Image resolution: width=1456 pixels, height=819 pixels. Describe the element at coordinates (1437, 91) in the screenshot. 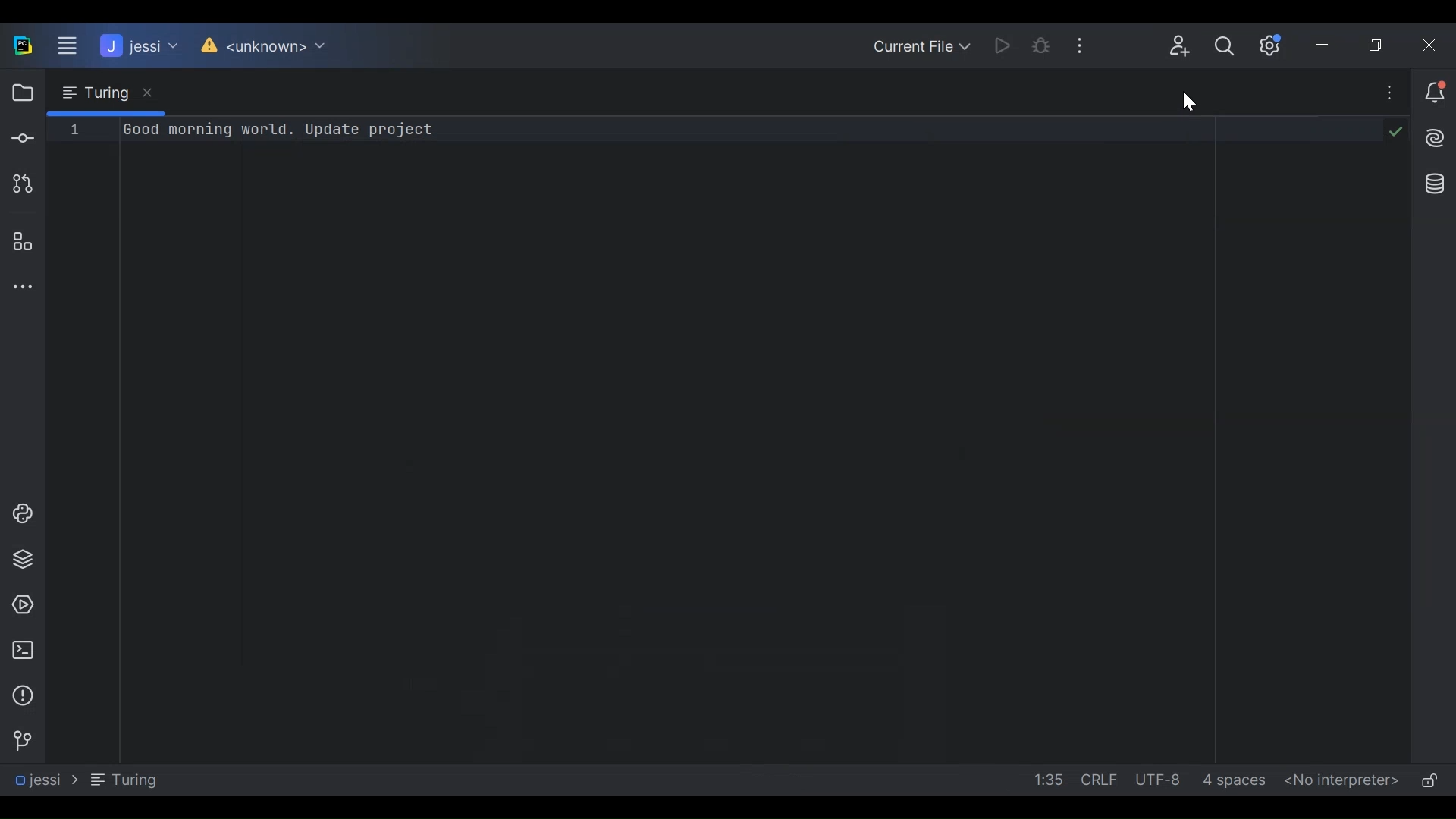

I see `Notification` at that location.